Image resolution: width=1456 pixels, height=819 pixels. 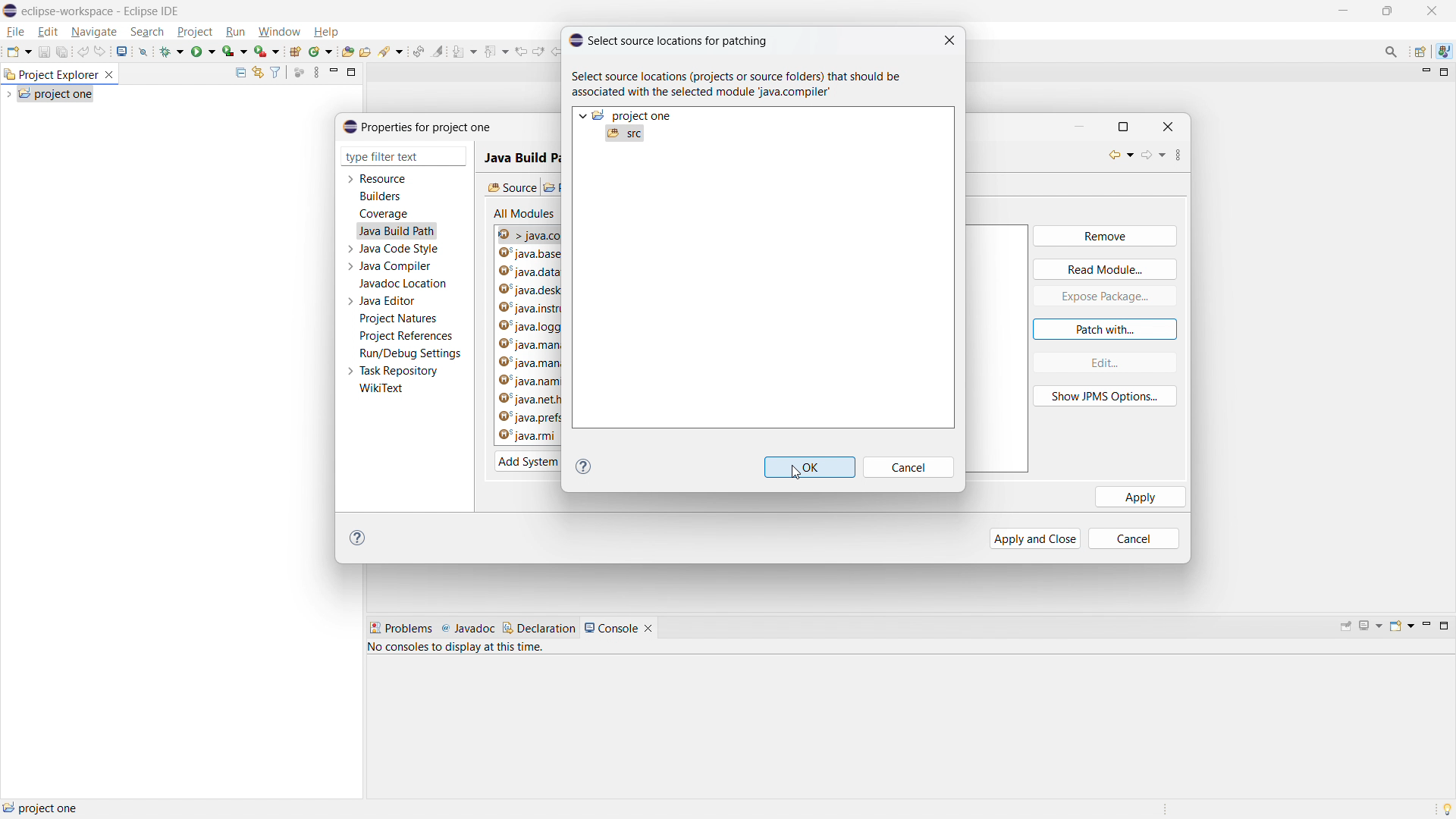 What do you see at coordinates (18, 51) in the screenshot?
I see `new` at bounding box center [18, 51].